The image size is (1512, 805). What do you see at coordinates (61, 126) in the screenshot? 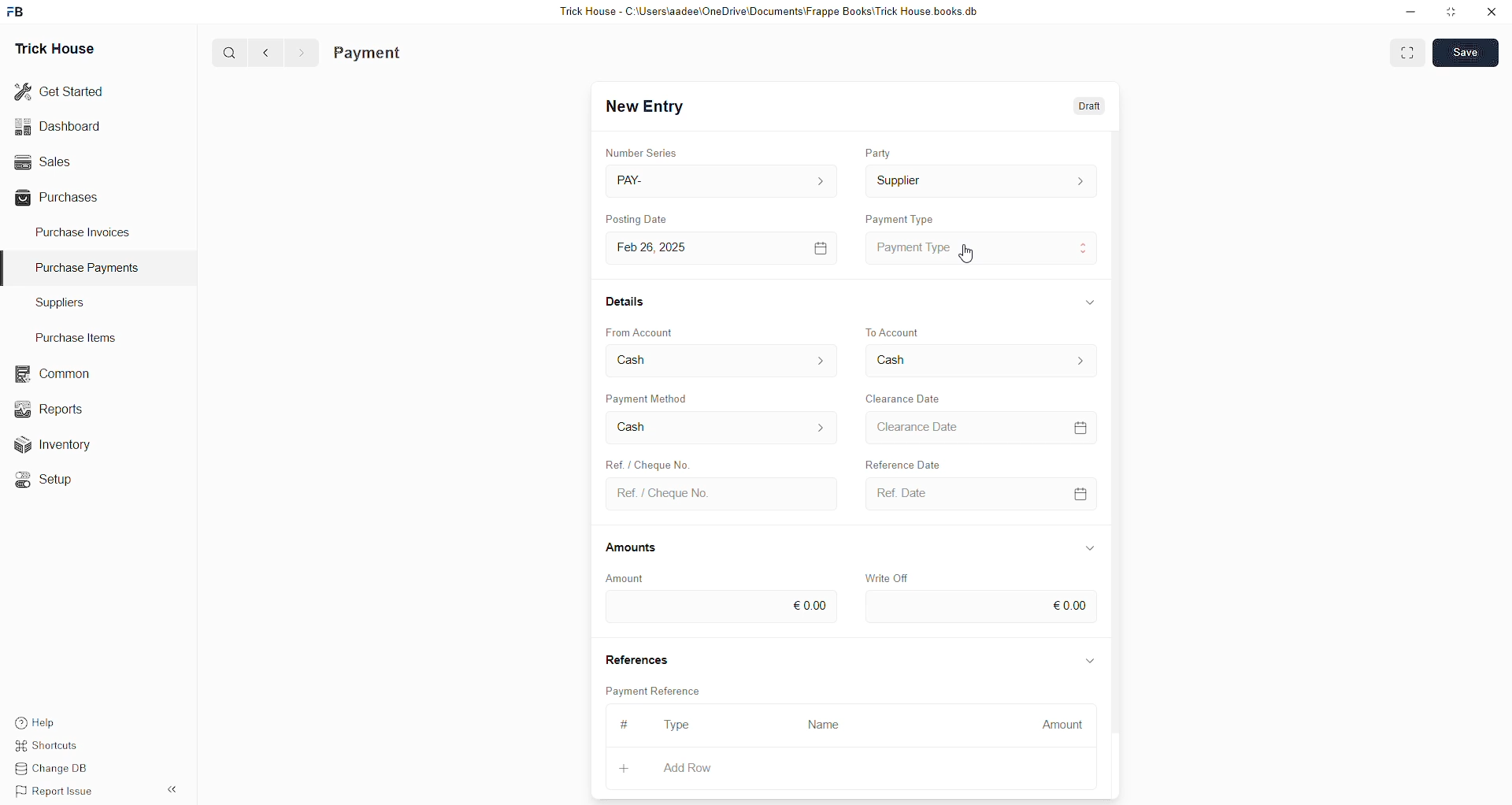
I see `Dashboard` at bounding box center [61, 126].